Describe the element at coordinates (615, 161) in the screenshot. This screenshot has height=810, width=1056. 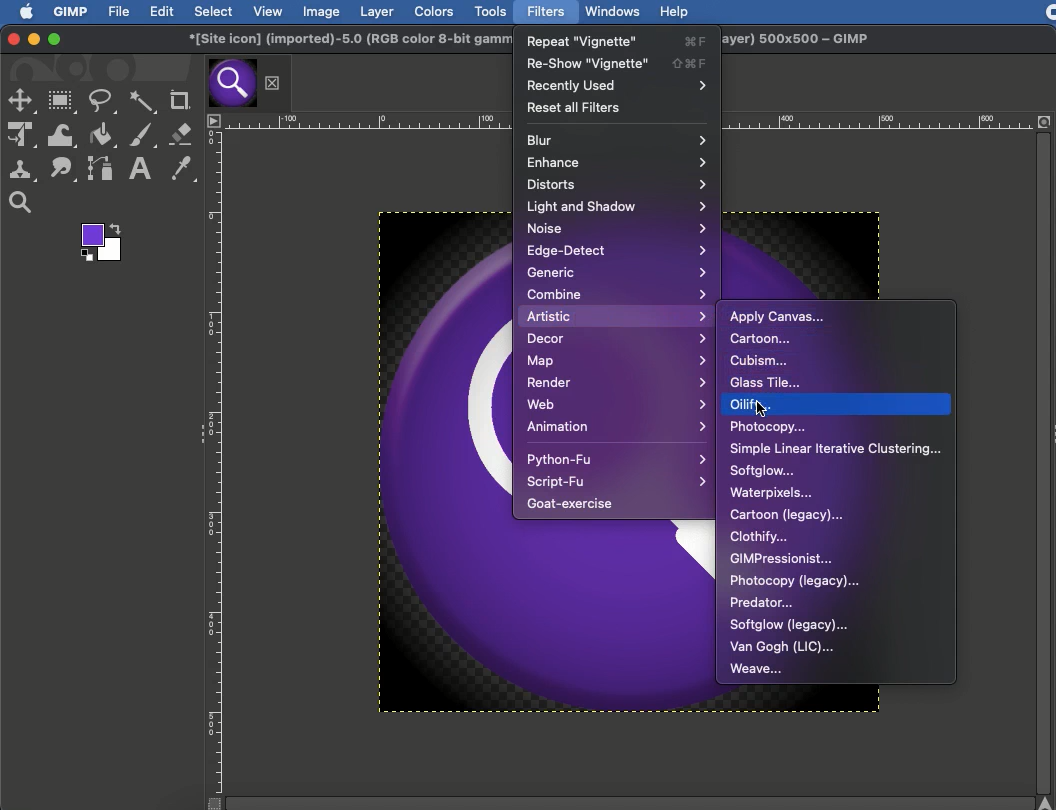
I see `Enhance` at that location.